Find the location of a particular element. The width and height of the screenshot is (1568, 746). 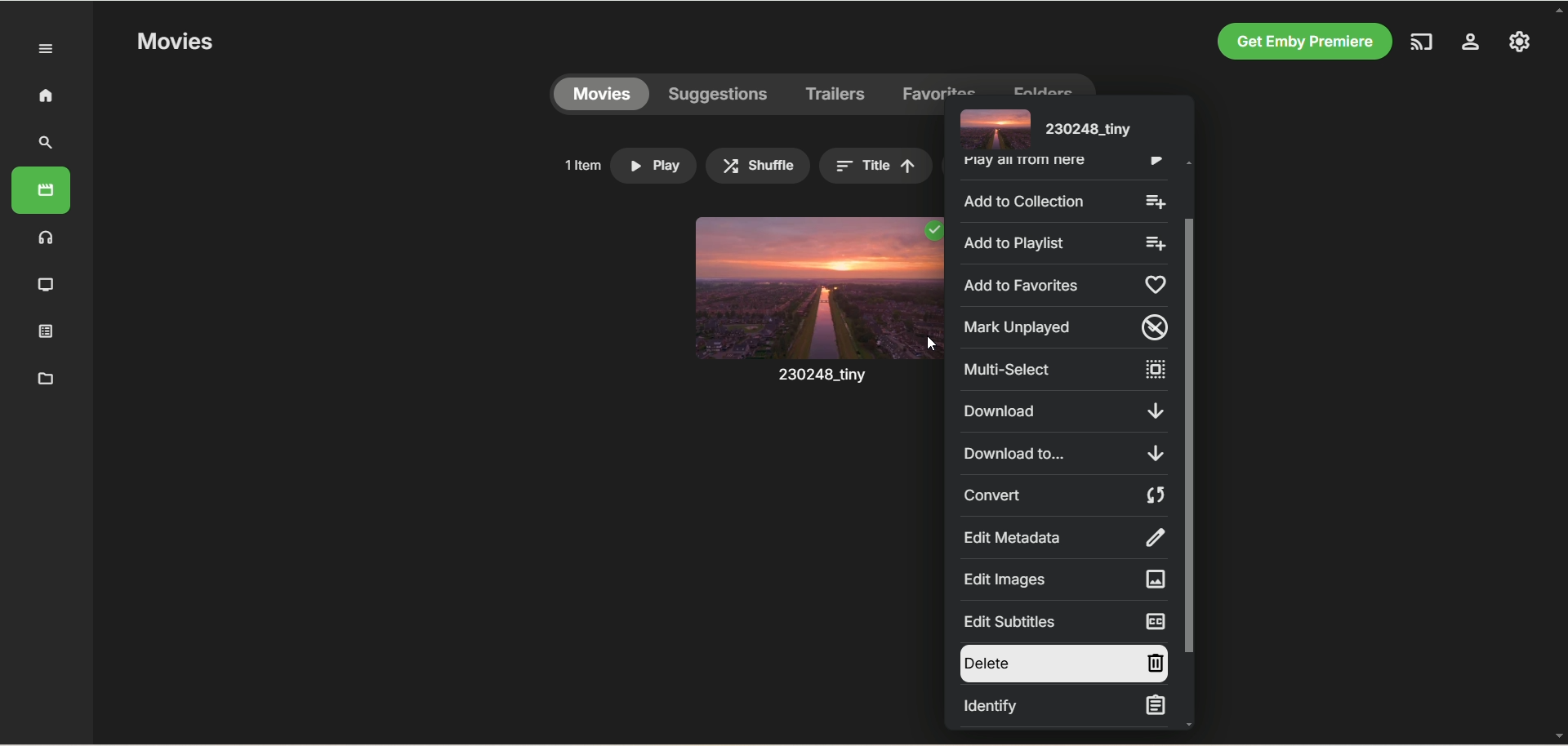

add to playlist is located at coordinates (1061, 242).